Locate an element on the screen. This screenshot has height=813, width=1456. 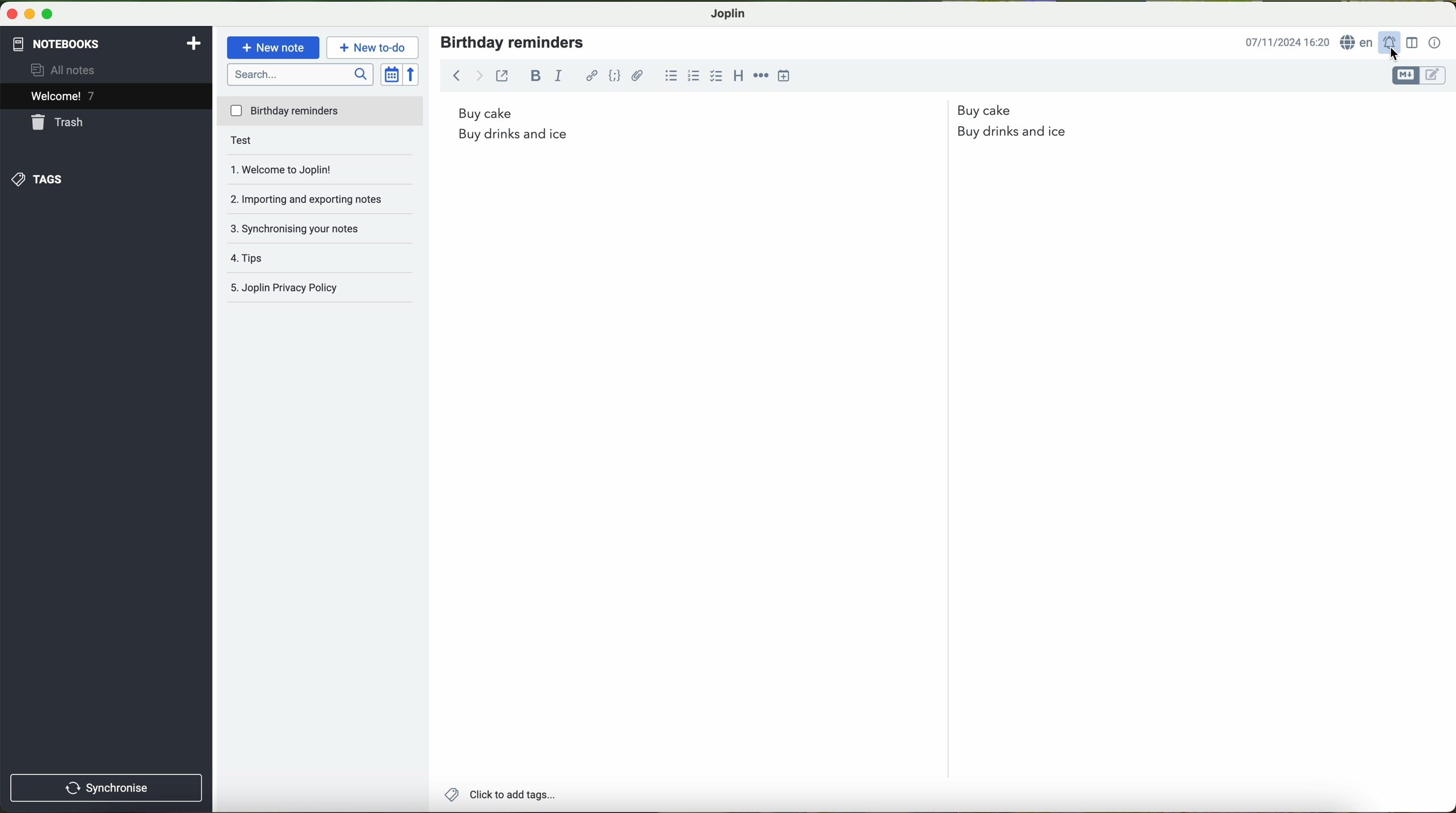
synchronise button is located at coordinates (105, 786).